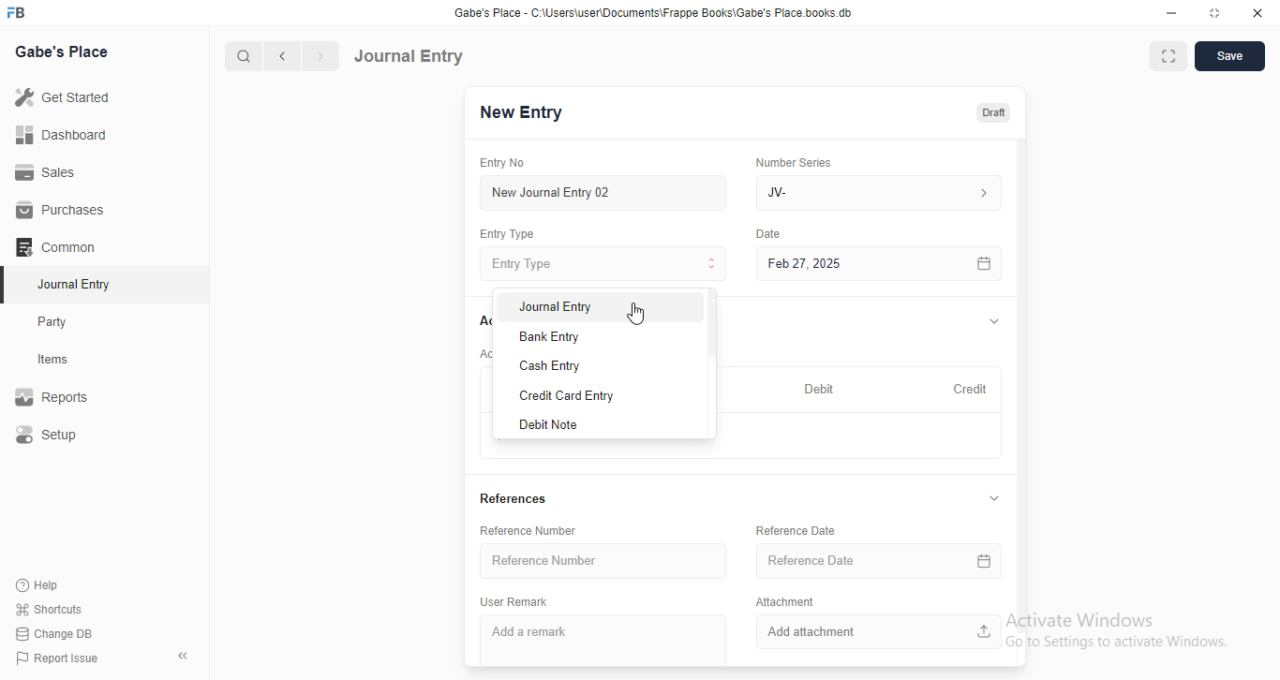 The width and height of the screenshot is (1280, 680). Describe the element at coordinates (772, 232) in the screenshot. I see `Date` at that location.